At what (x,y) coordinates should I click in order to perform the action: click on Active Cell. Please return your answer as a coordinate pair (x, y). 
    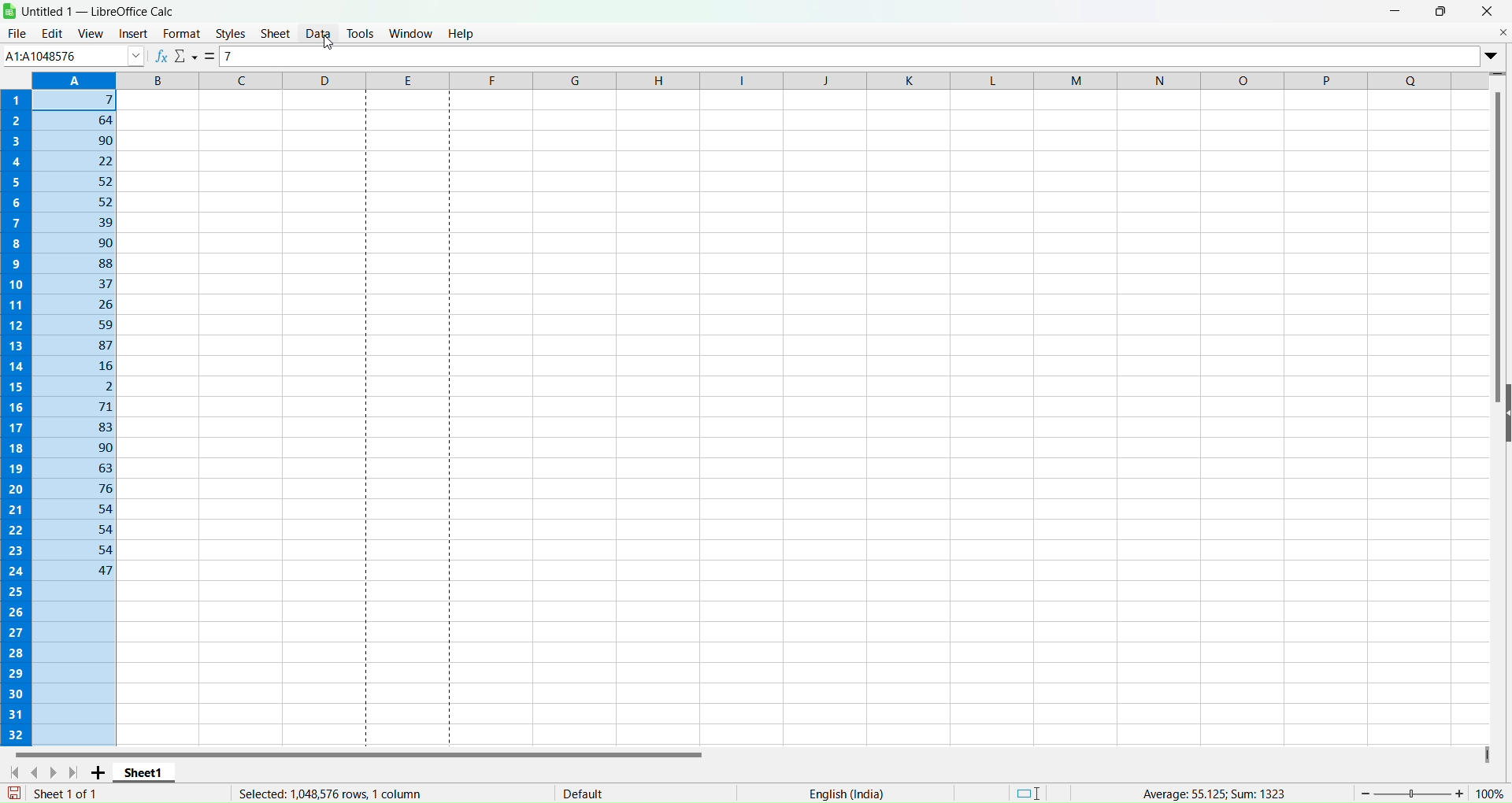
    Looking at the image, I should click on (72, 55).